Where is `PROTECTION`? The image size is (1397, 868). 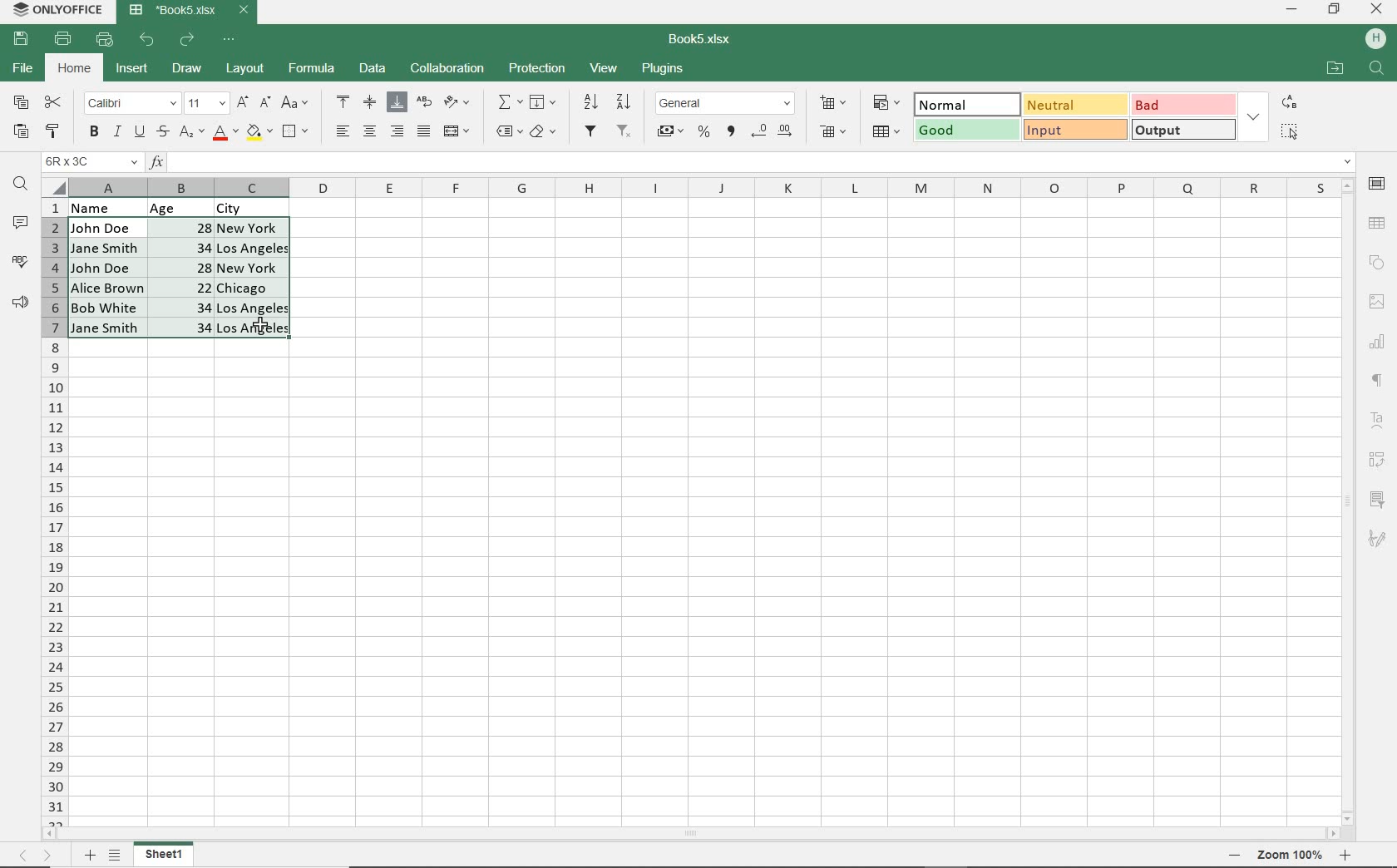 PROTECTION is located at coordinates (537, 68).